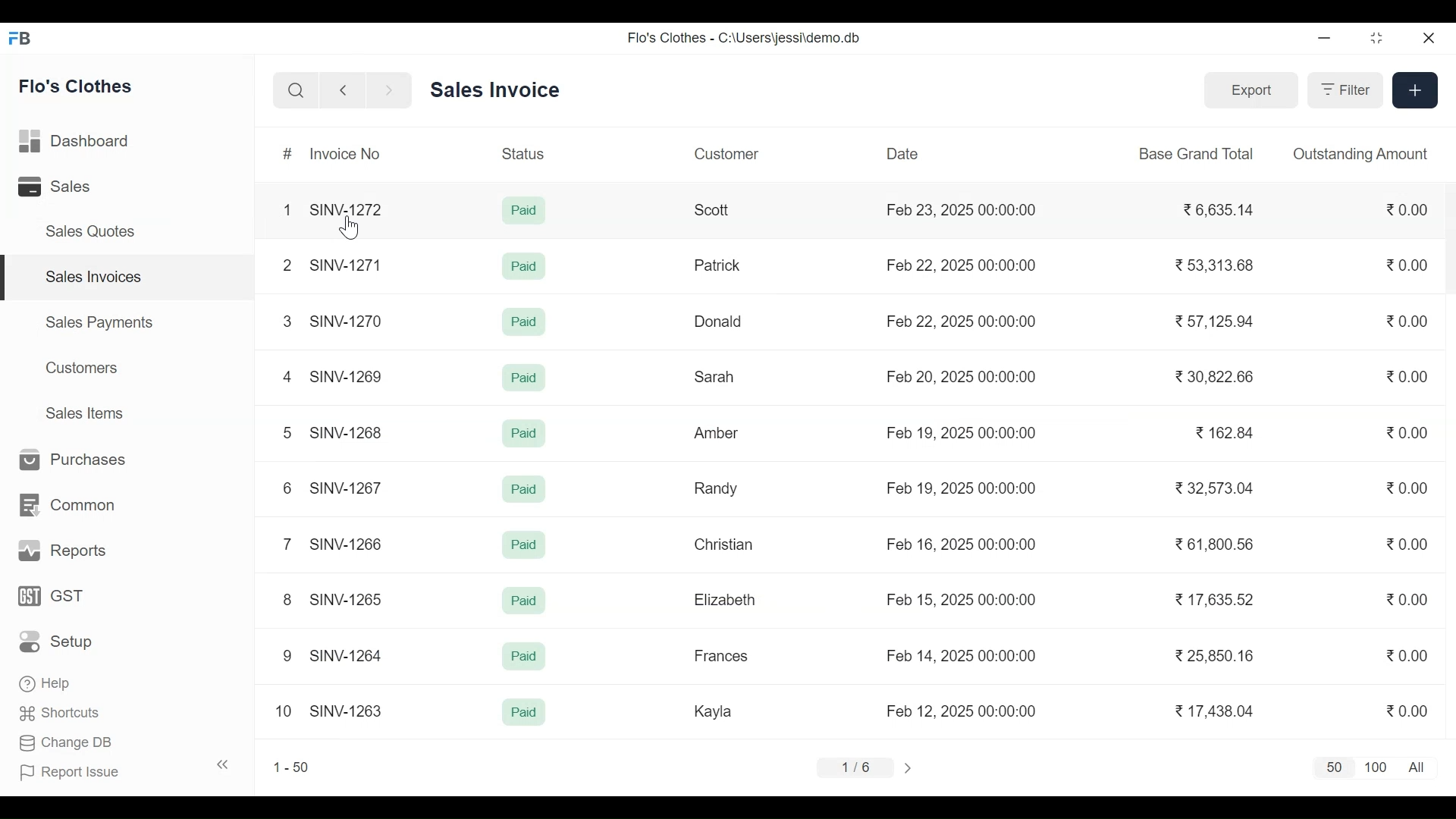  Describe the element at coordinates (912, 155) in the screenshot. I see `Date` at that location.